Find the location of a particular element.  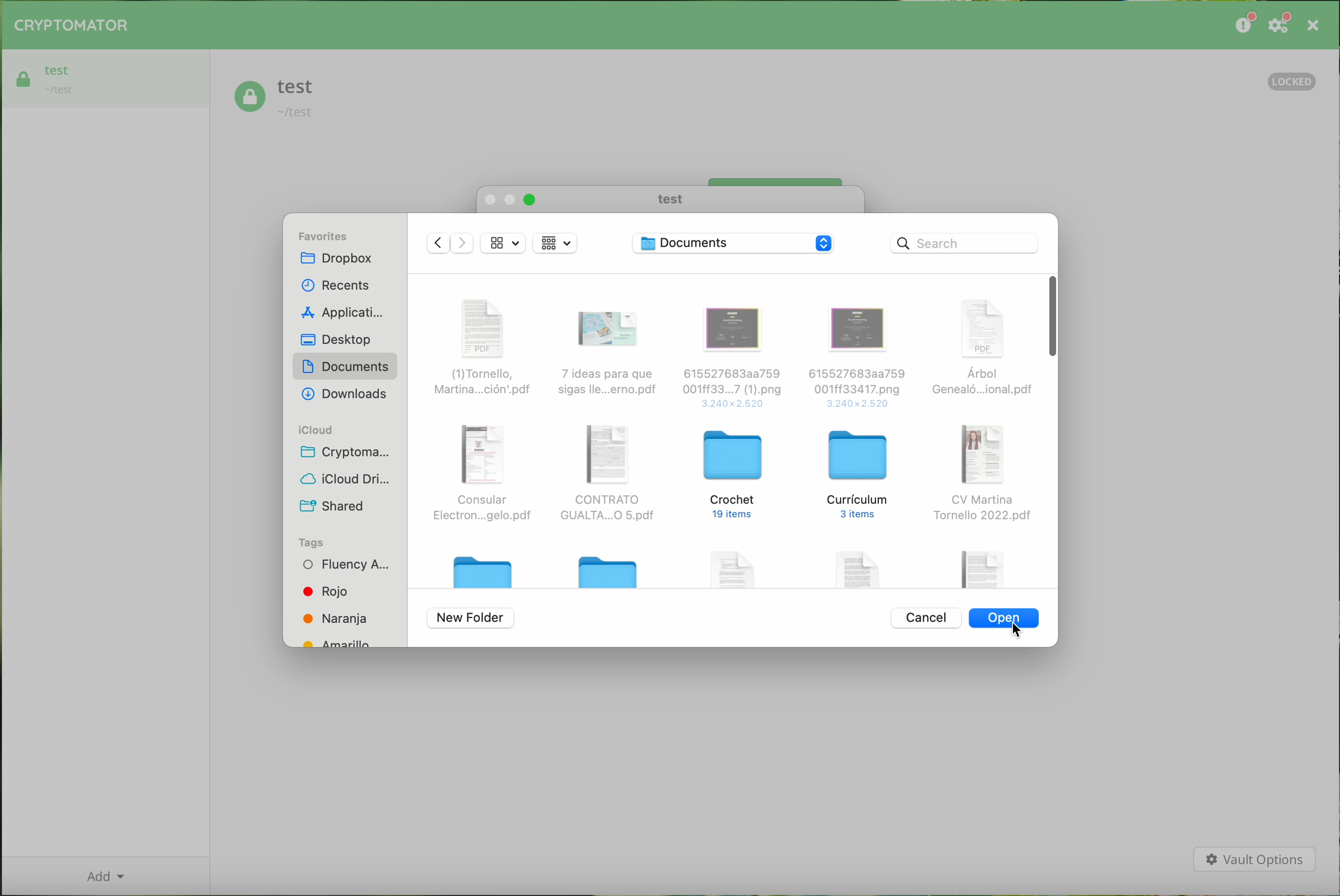

grid view is located at coordinates (555, 243).